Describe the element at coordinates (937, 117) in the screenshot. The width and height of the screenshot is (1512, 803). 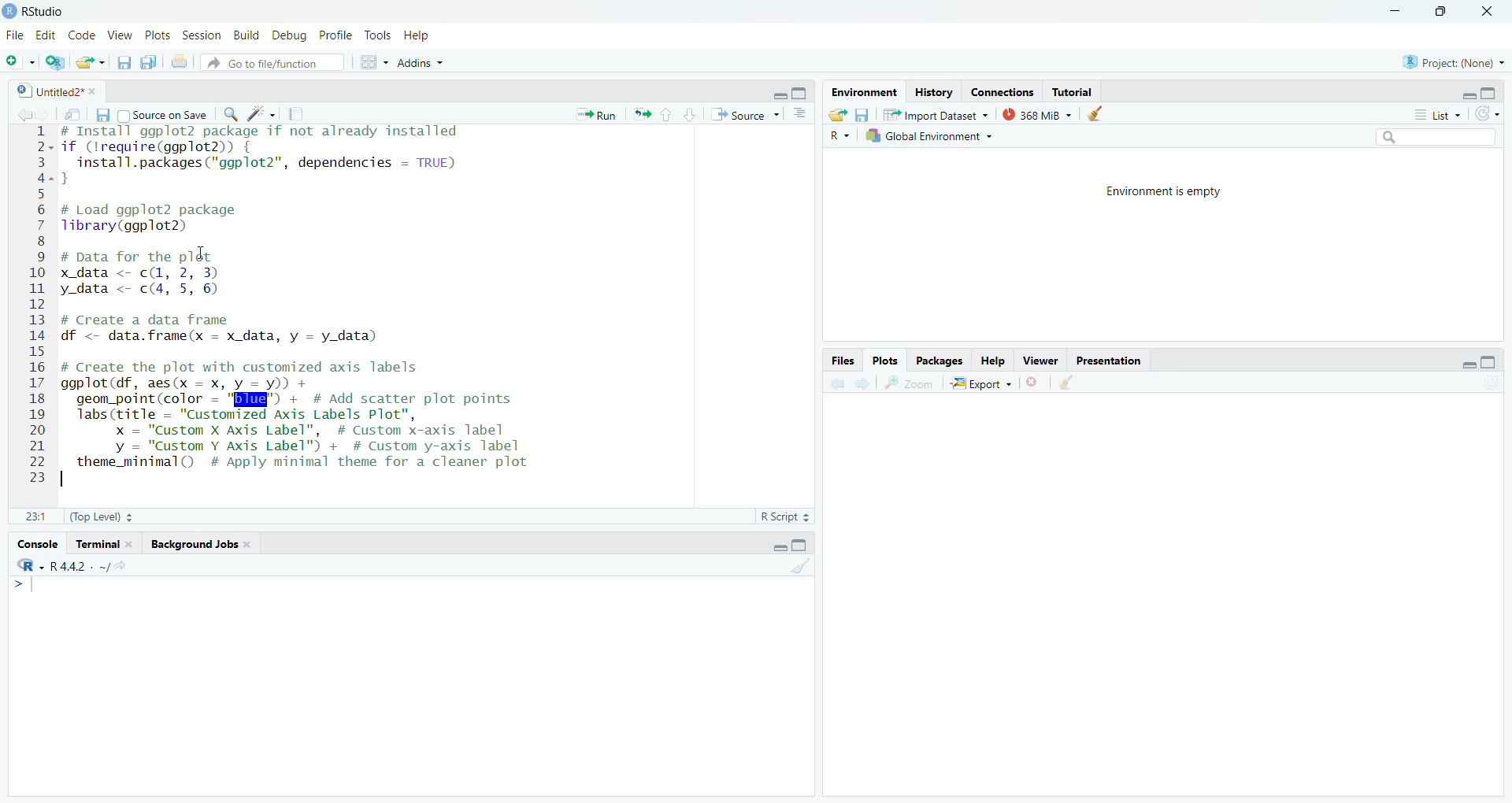
I see `Import Dataset ~` at that location.